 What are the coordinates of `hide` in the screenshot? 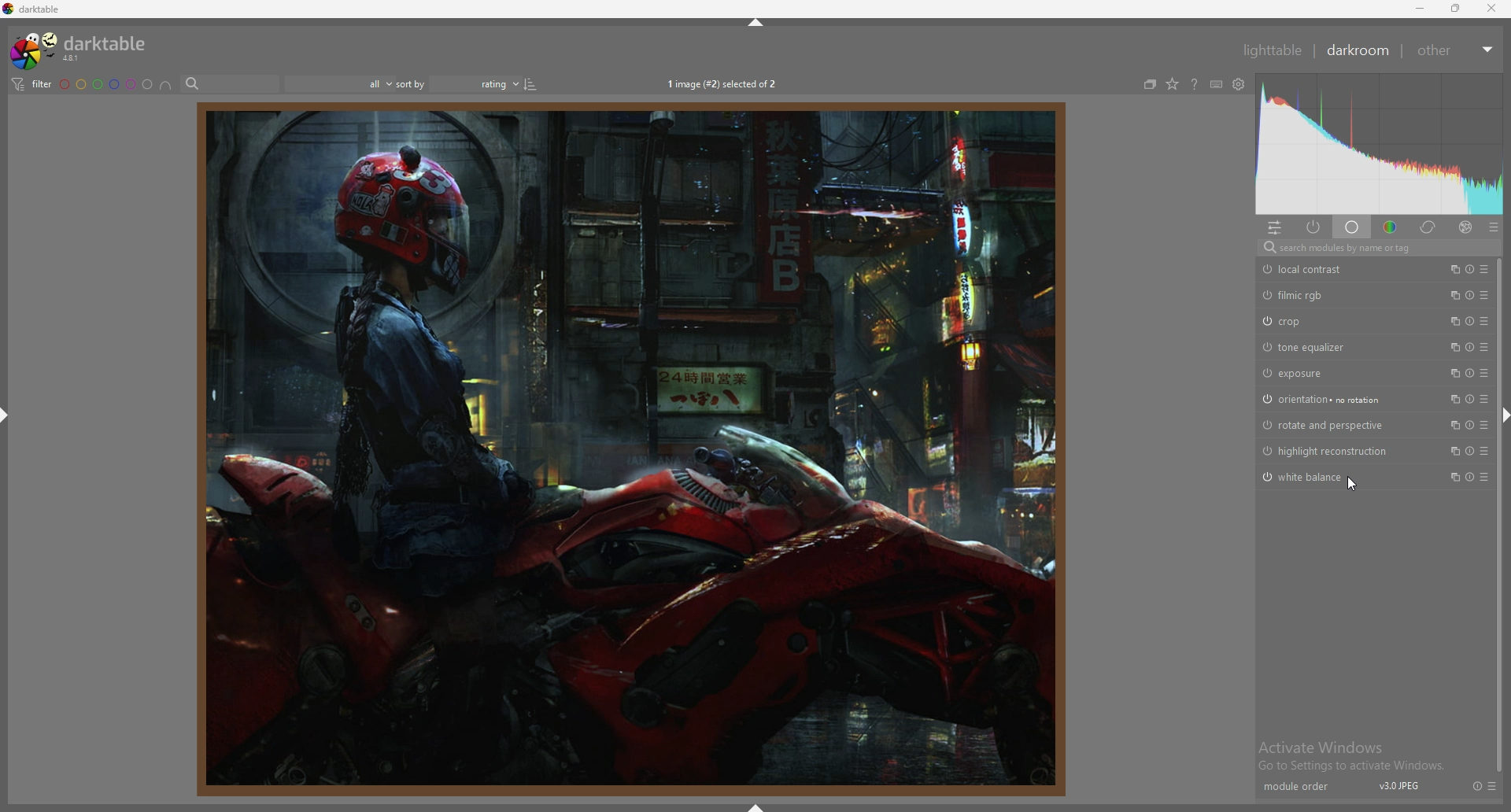 It's located at (1502, 413).